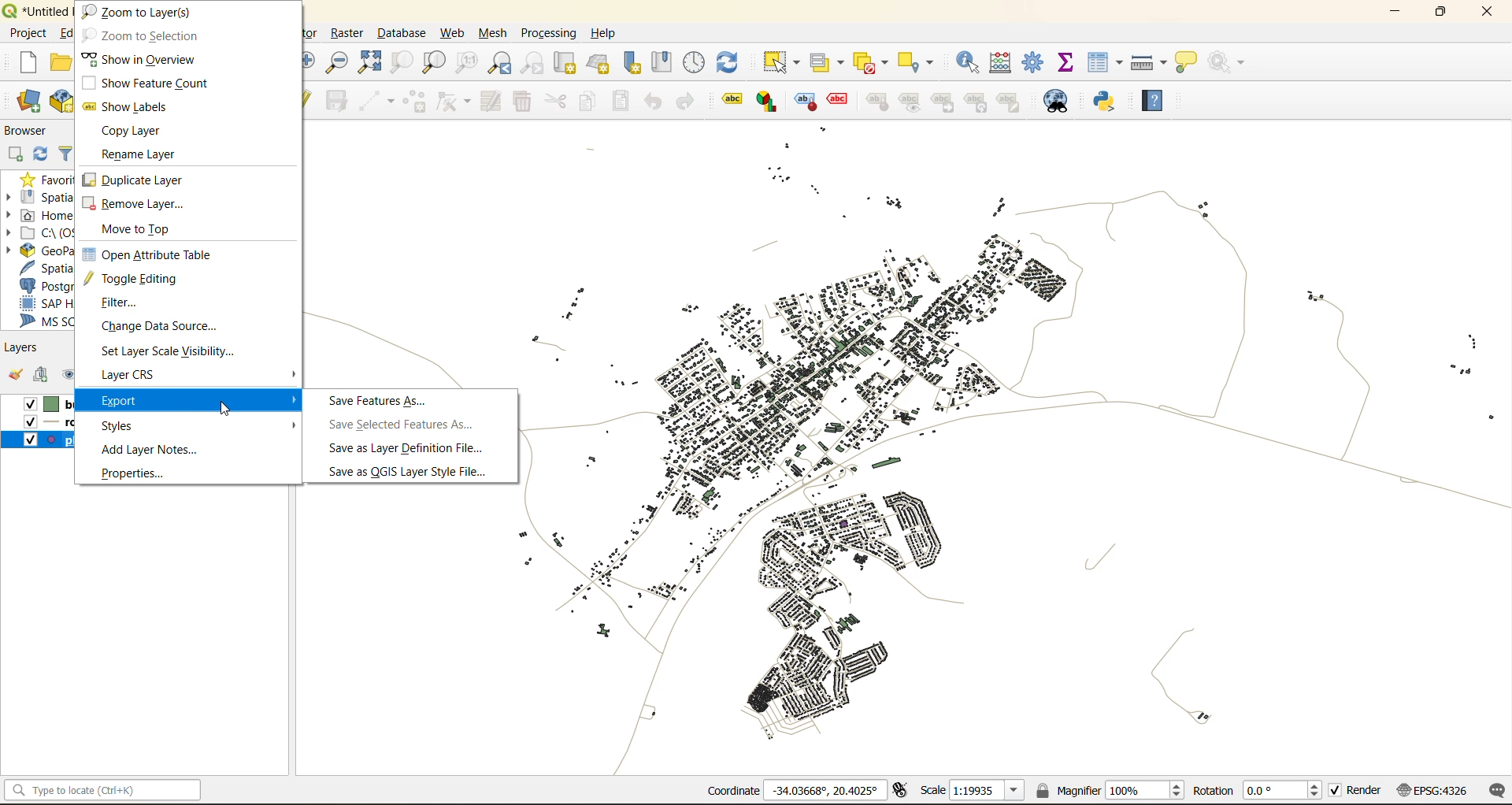 Image resolution: width=1512 pixels, height=805 pixels. I want to click on toolbox, so click(1036, 61).